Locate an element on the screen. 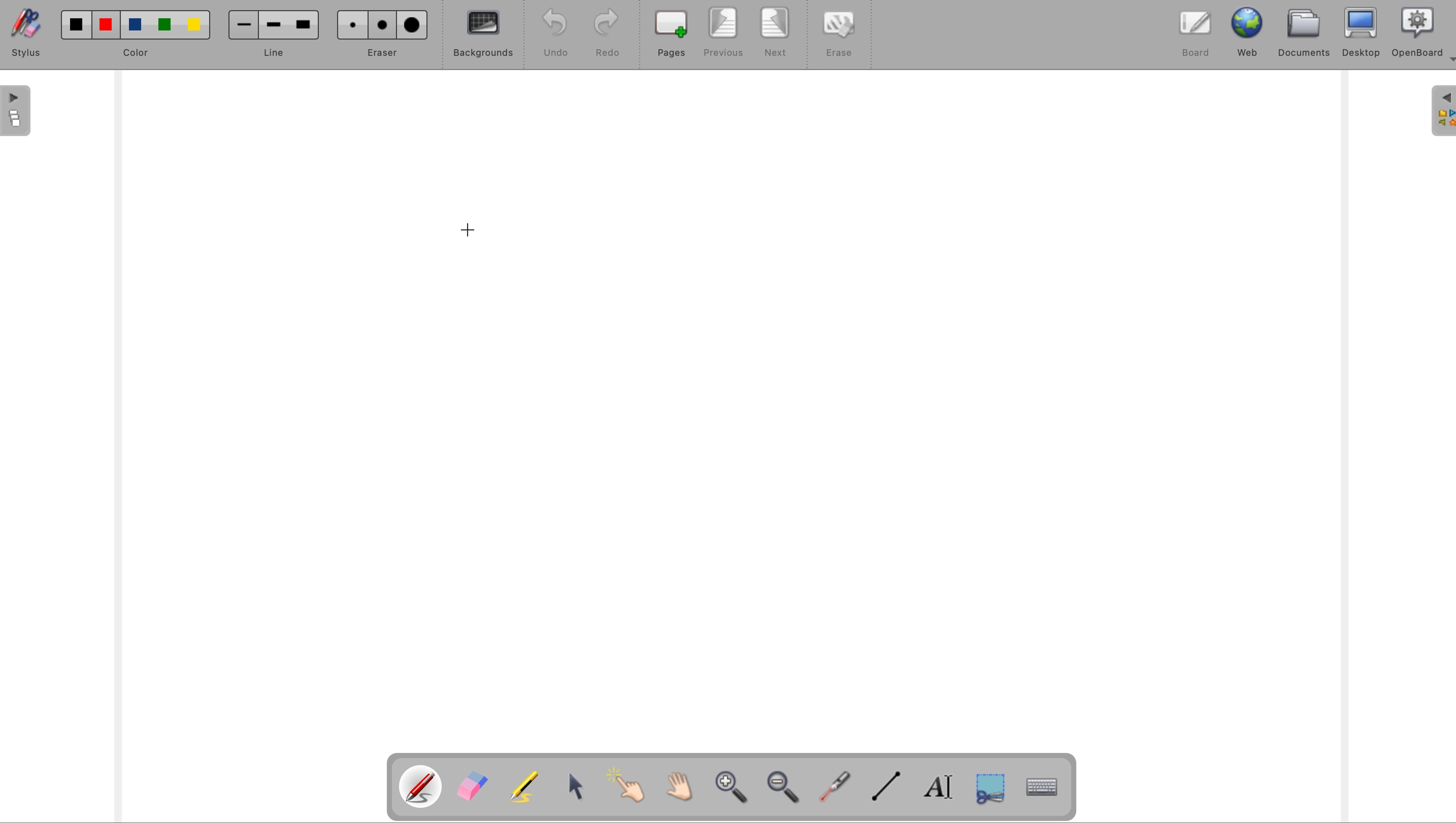 This screenshot has height=823, width=1456. erase is located at coordinates (836, 34).